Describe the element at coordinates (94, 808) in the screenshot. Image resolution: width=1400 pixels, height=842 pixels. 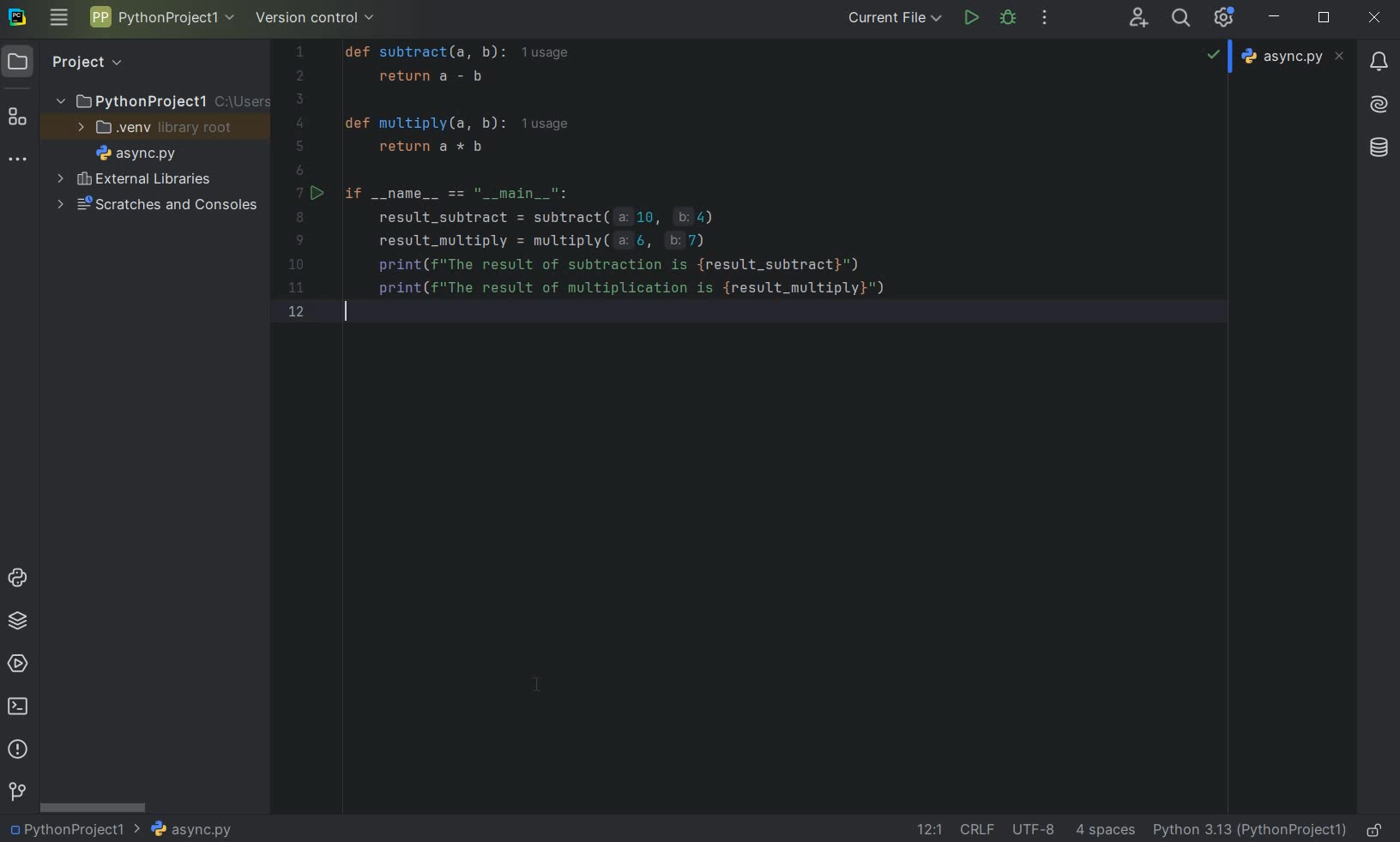
I see `srollbar` at that location.